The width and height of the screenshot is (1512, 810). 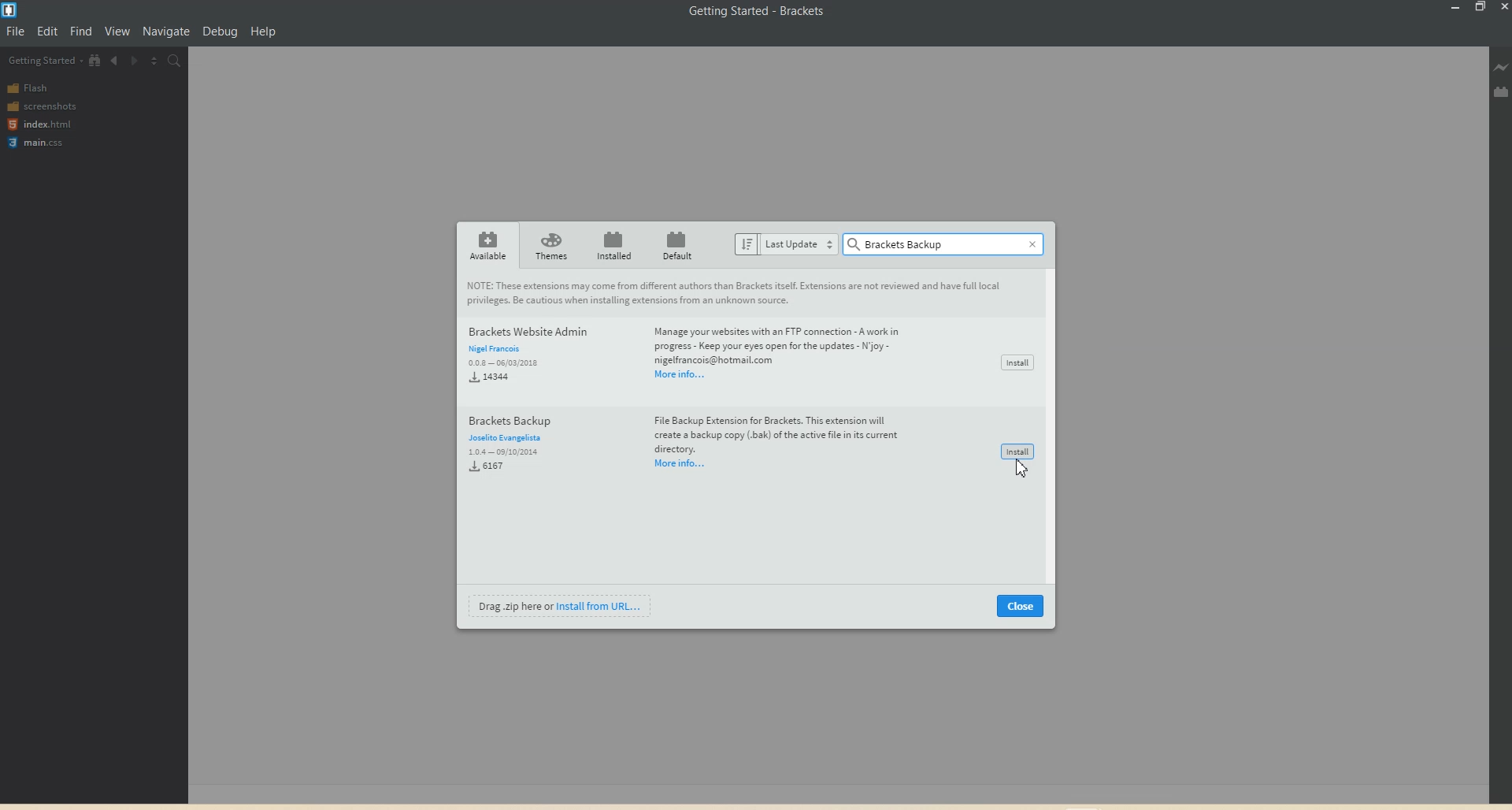 What do you see at coordinates (154, 61) in the screenshot?
I see `Split The Editor vertically and Horizontally` at bounding box center [154, 61].